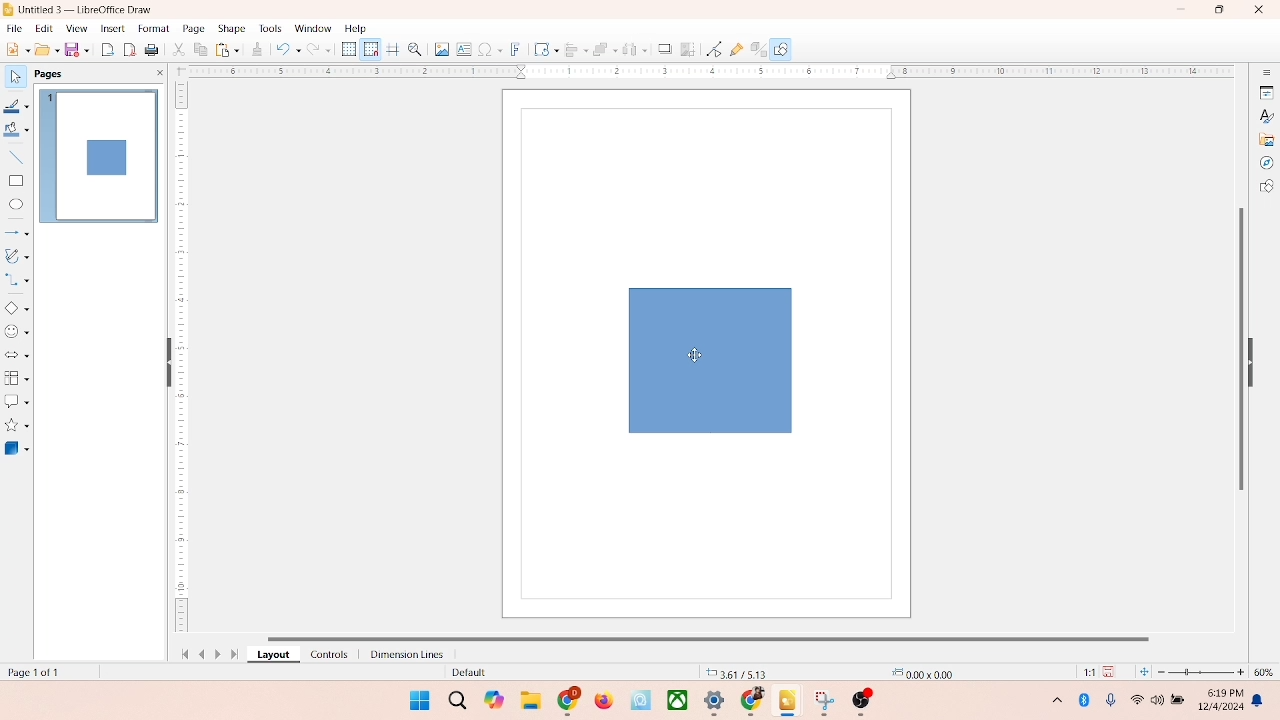 The width and height of the screenshot is (1280, 720). What do you see at coordinates (402, 654) in the screenshot?
I see `dimension lines` at bounding box center [402, 654].